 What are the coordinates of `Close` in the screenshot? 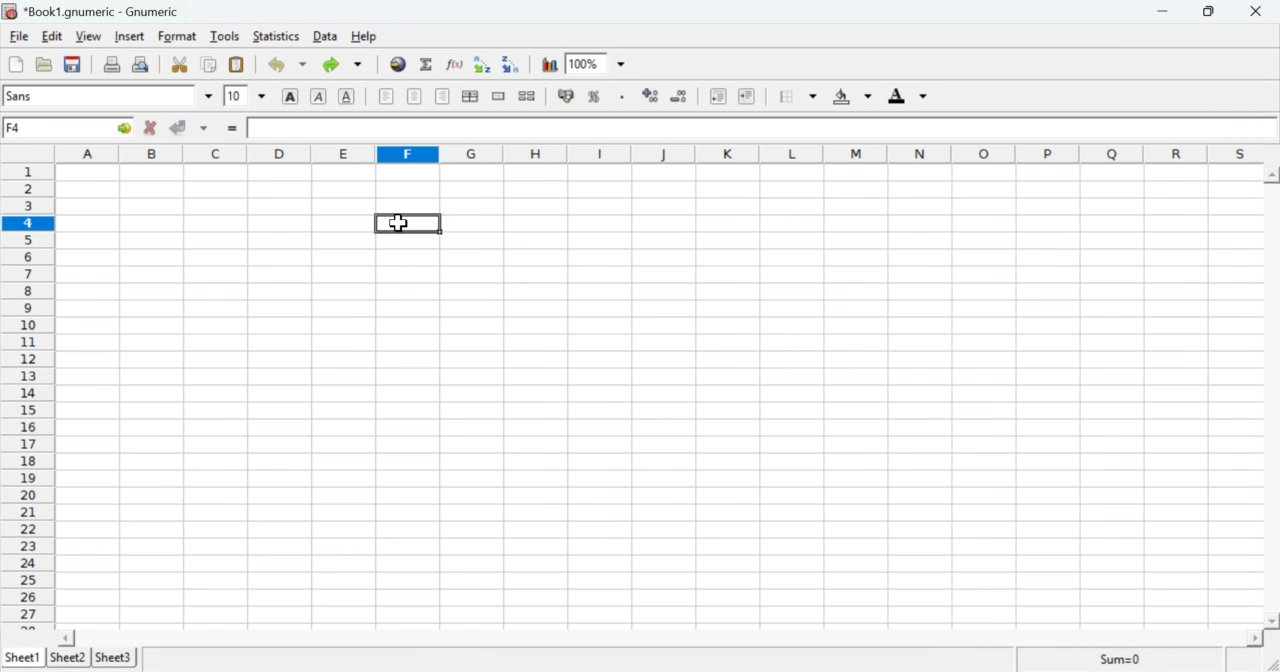 It's located at (1257, 12).